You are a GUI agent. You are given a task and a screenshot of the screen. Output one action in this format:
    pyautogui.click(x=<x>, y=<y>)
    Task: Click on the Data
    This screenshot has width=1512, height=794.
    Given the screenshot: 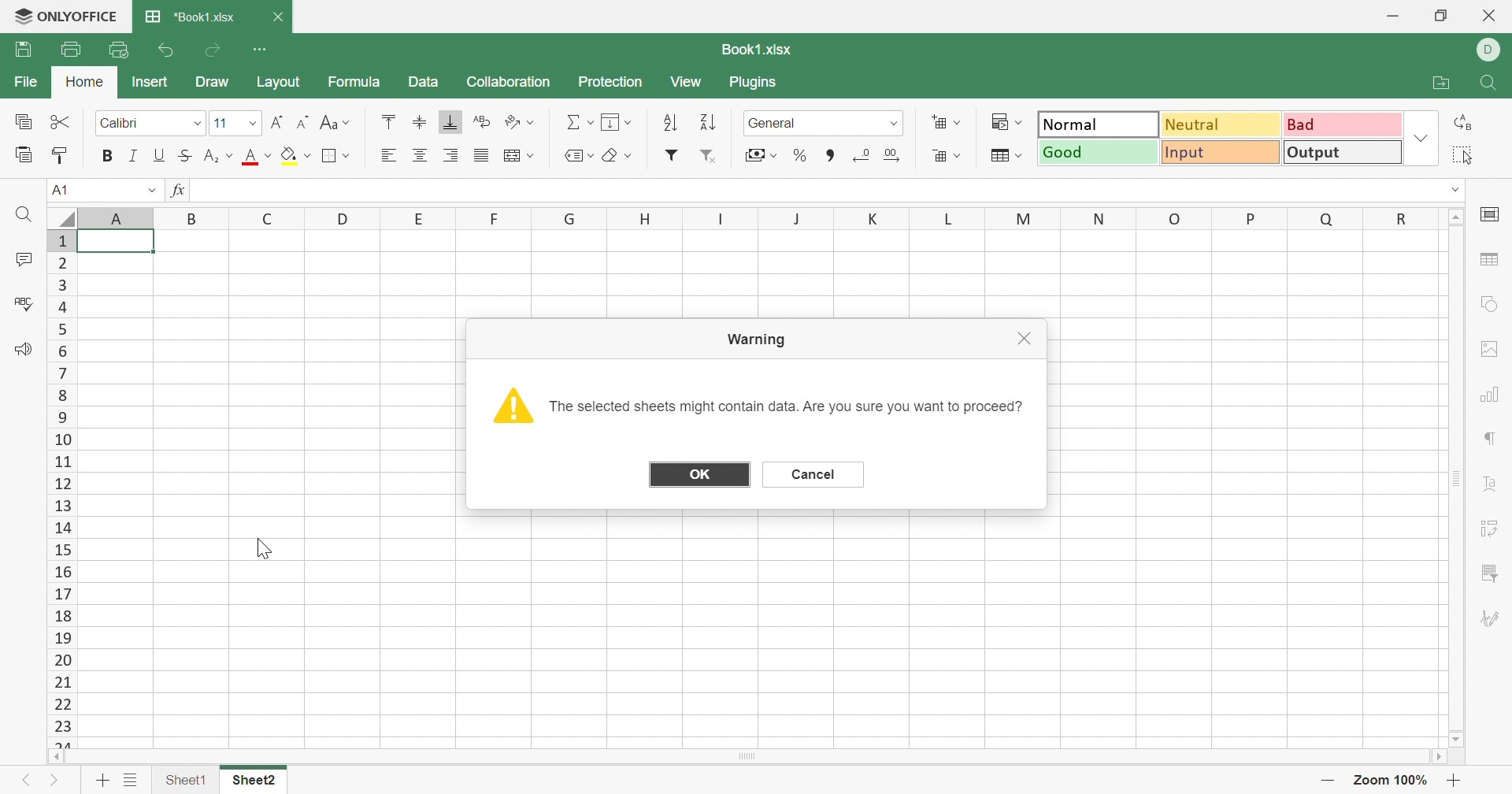 What is the action you would take?
    pyautogui.click(x=421, y=81)
    